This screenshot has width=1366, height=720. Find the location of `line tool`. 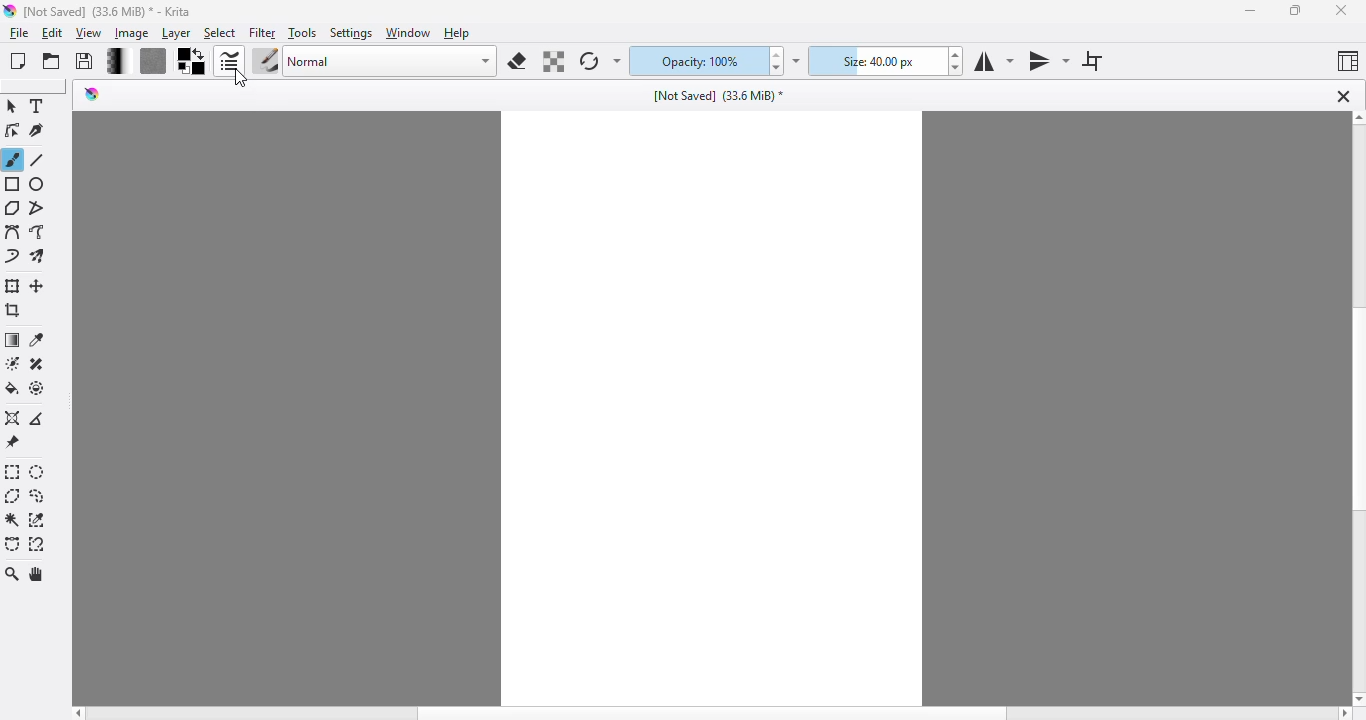

line tool is located at coordinates (40, 160).